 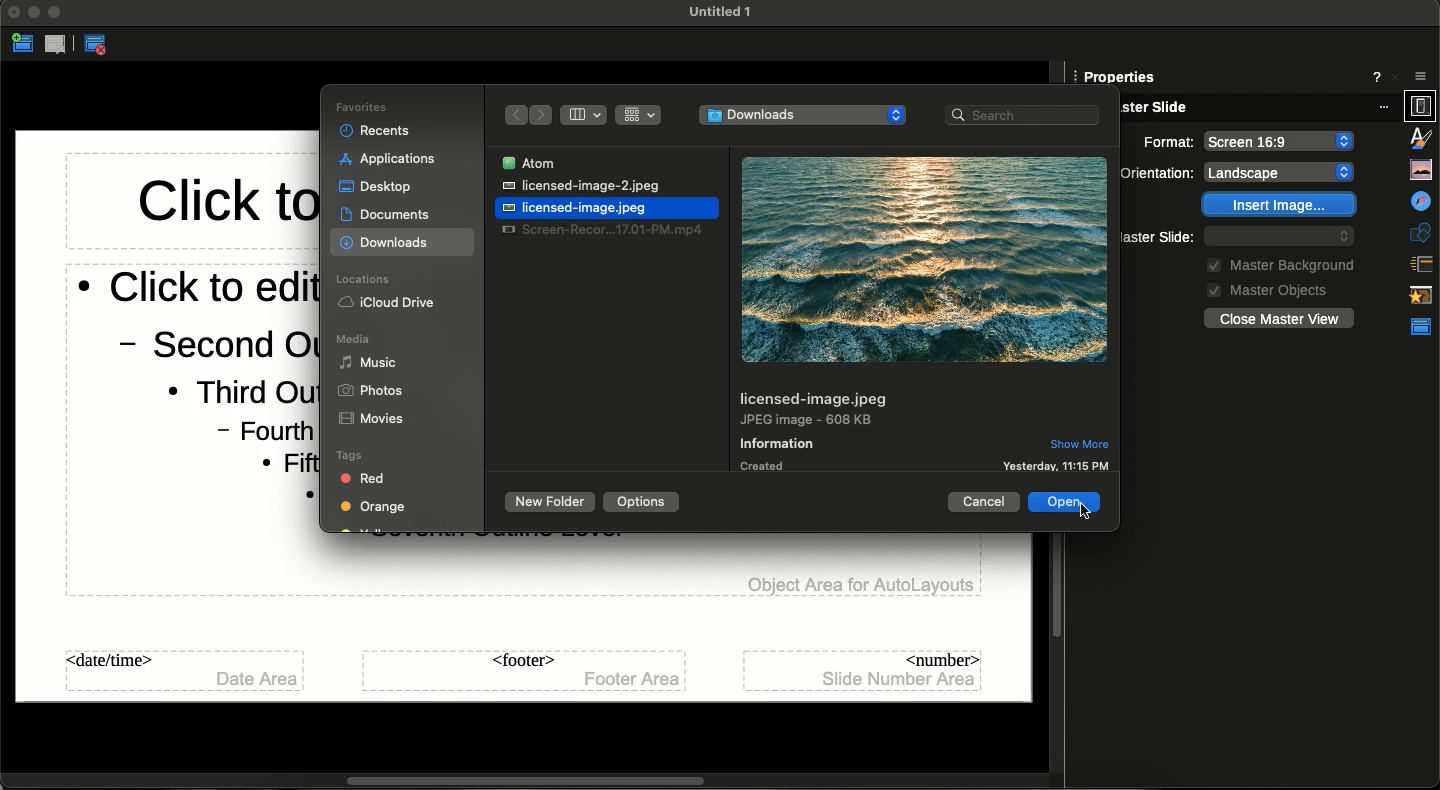 I want to click on Grid view, so click(x=637, y=115).